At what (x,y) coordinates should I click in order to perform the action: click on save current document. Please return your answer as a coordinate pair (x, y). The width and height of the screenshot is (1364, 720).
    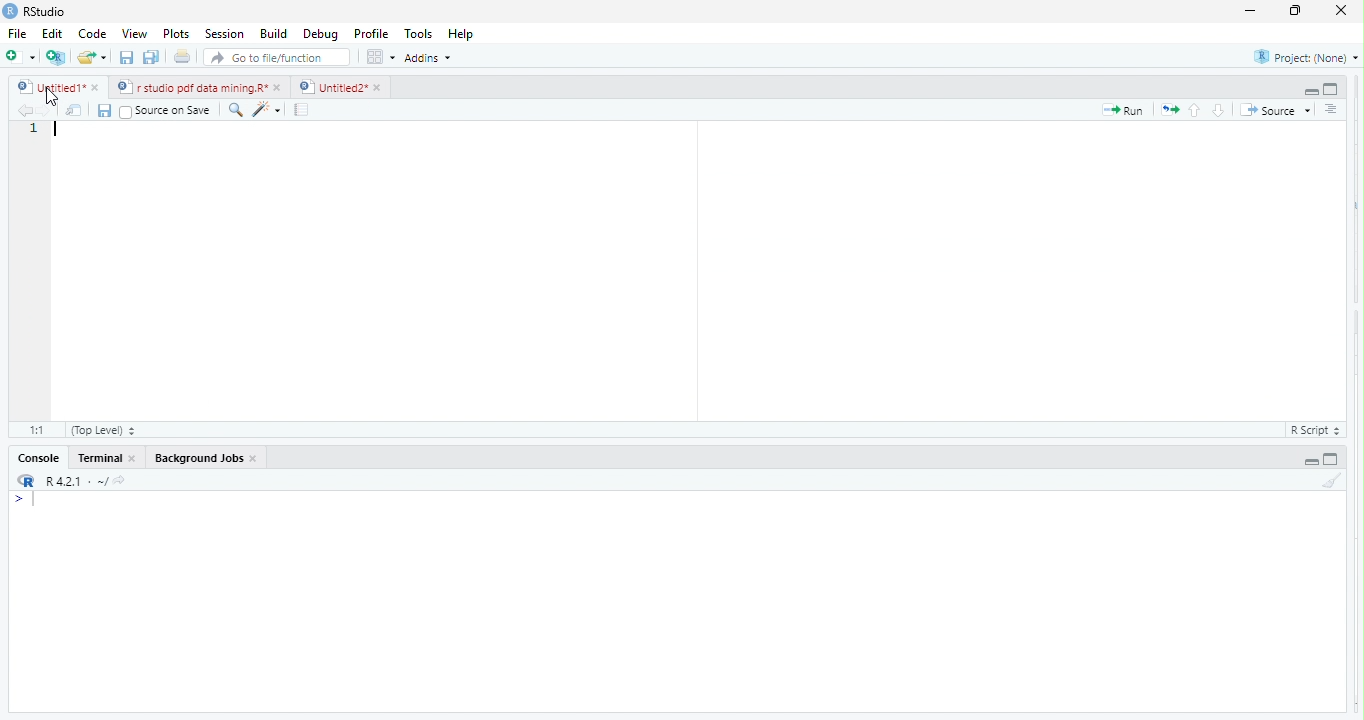
    Looking at the image, I should click on (104, 112).